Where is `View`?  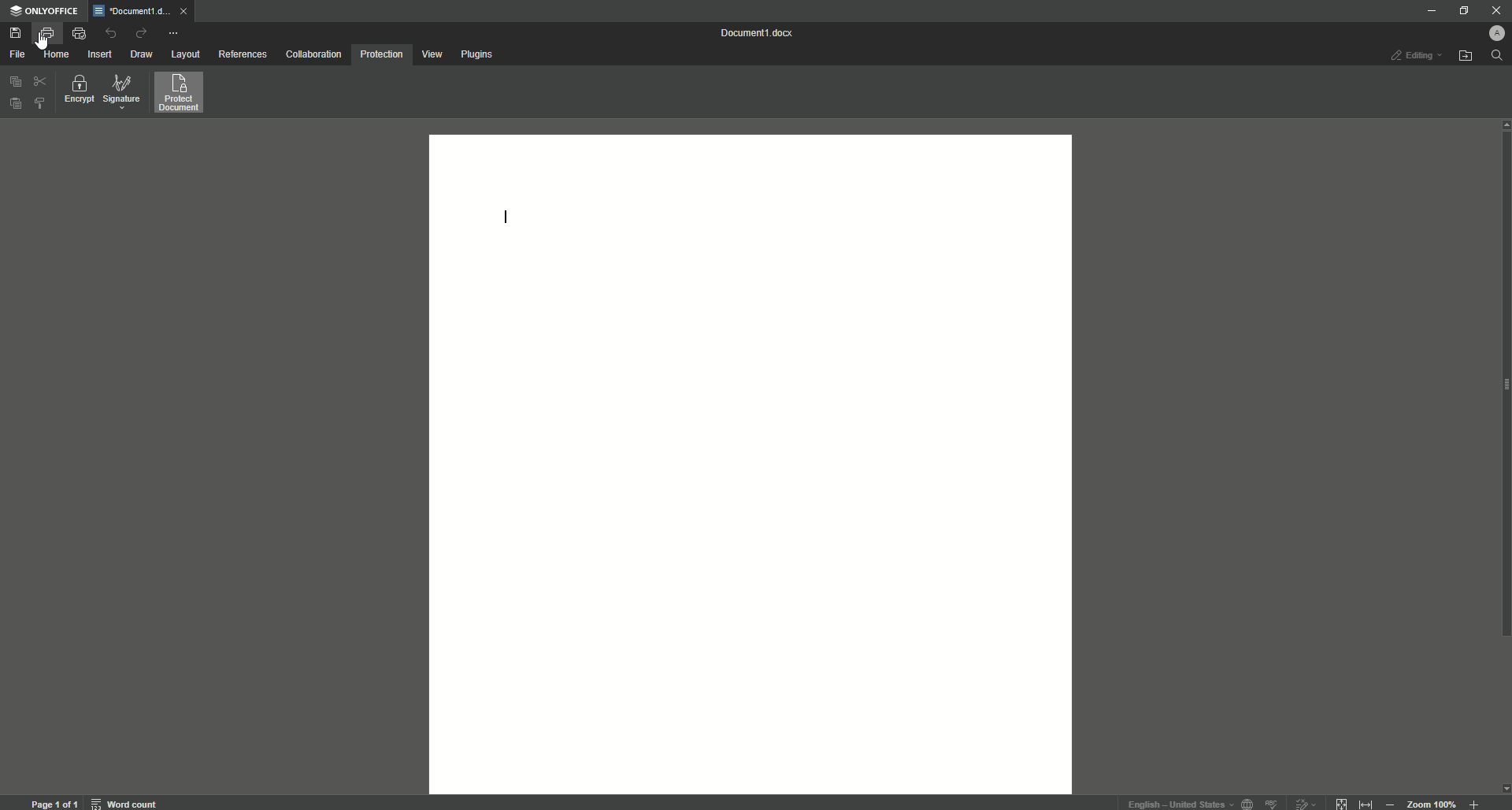 View is located at coordinates (431, 54).